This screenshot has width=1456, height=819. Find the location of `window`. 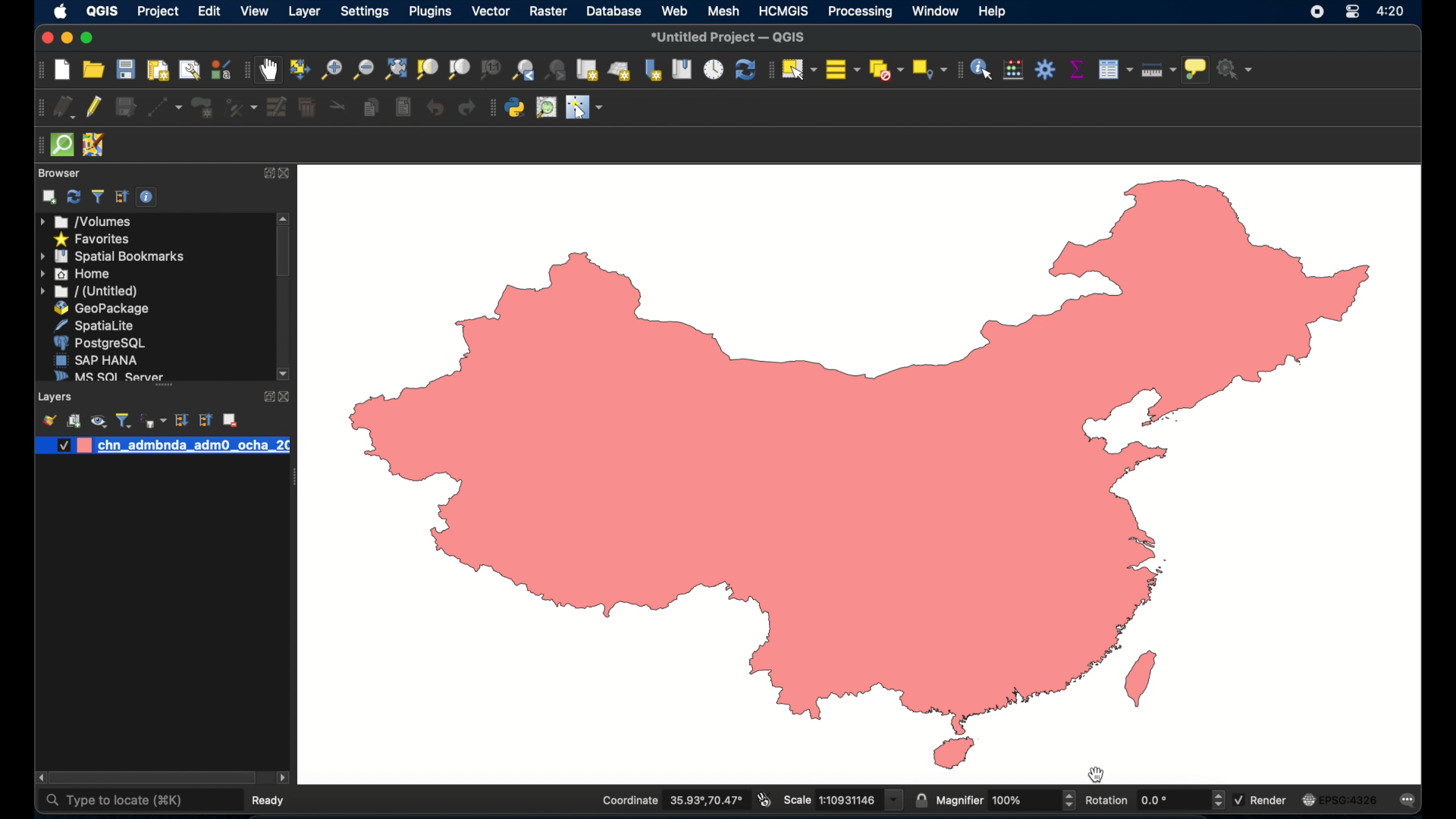

window is located at coordinates (937, 11).